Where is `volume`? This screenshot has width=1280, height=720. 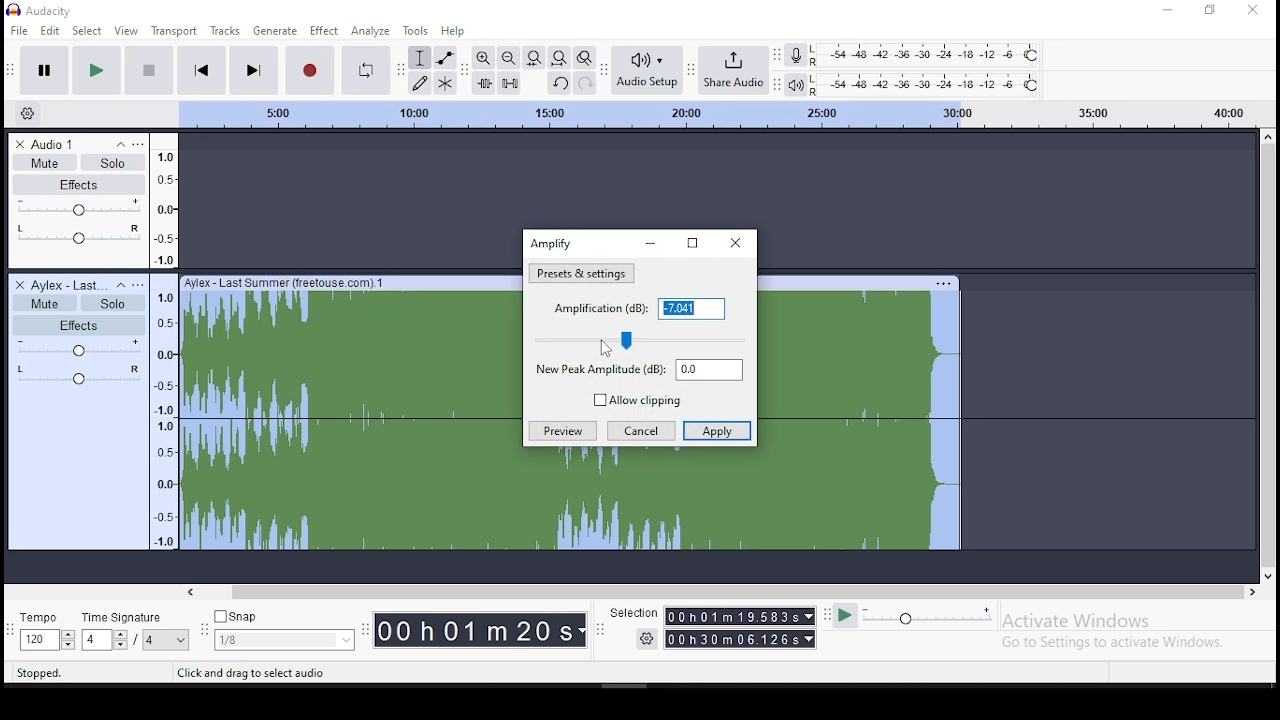 volume is located at coordinates (77, 208).